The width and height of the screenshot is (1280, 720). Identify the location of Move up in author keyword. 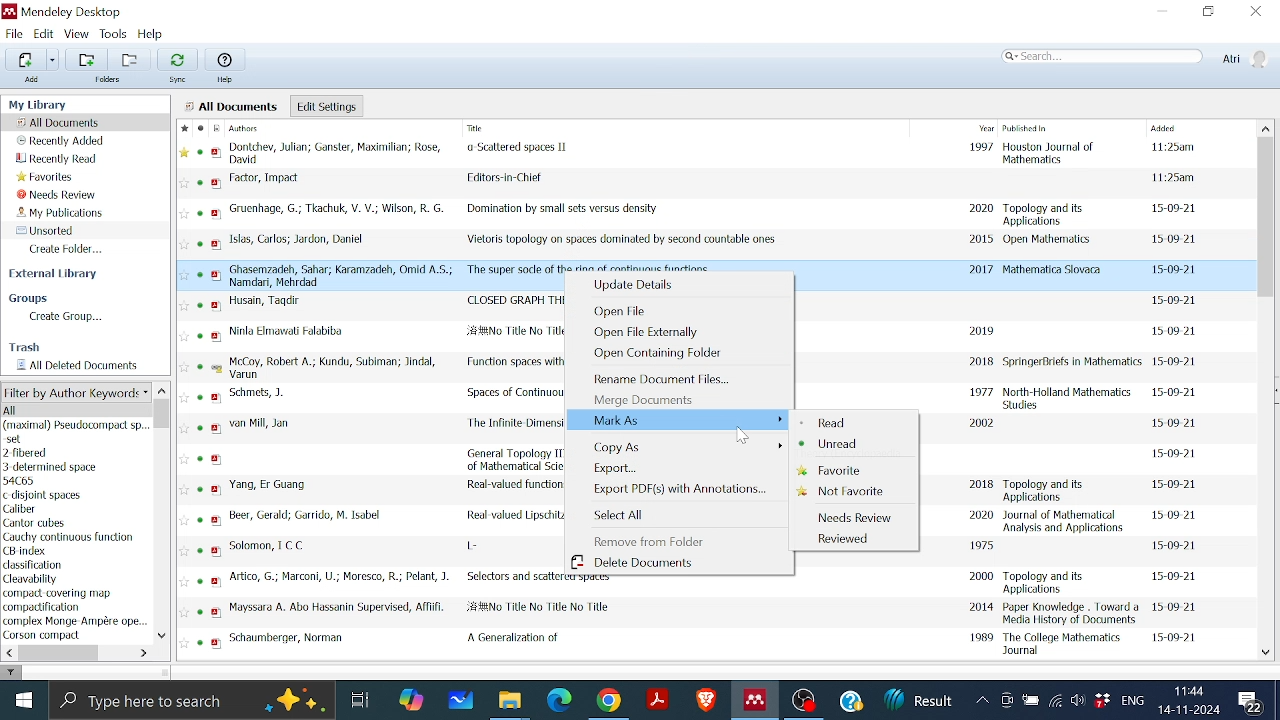
(163, 390).